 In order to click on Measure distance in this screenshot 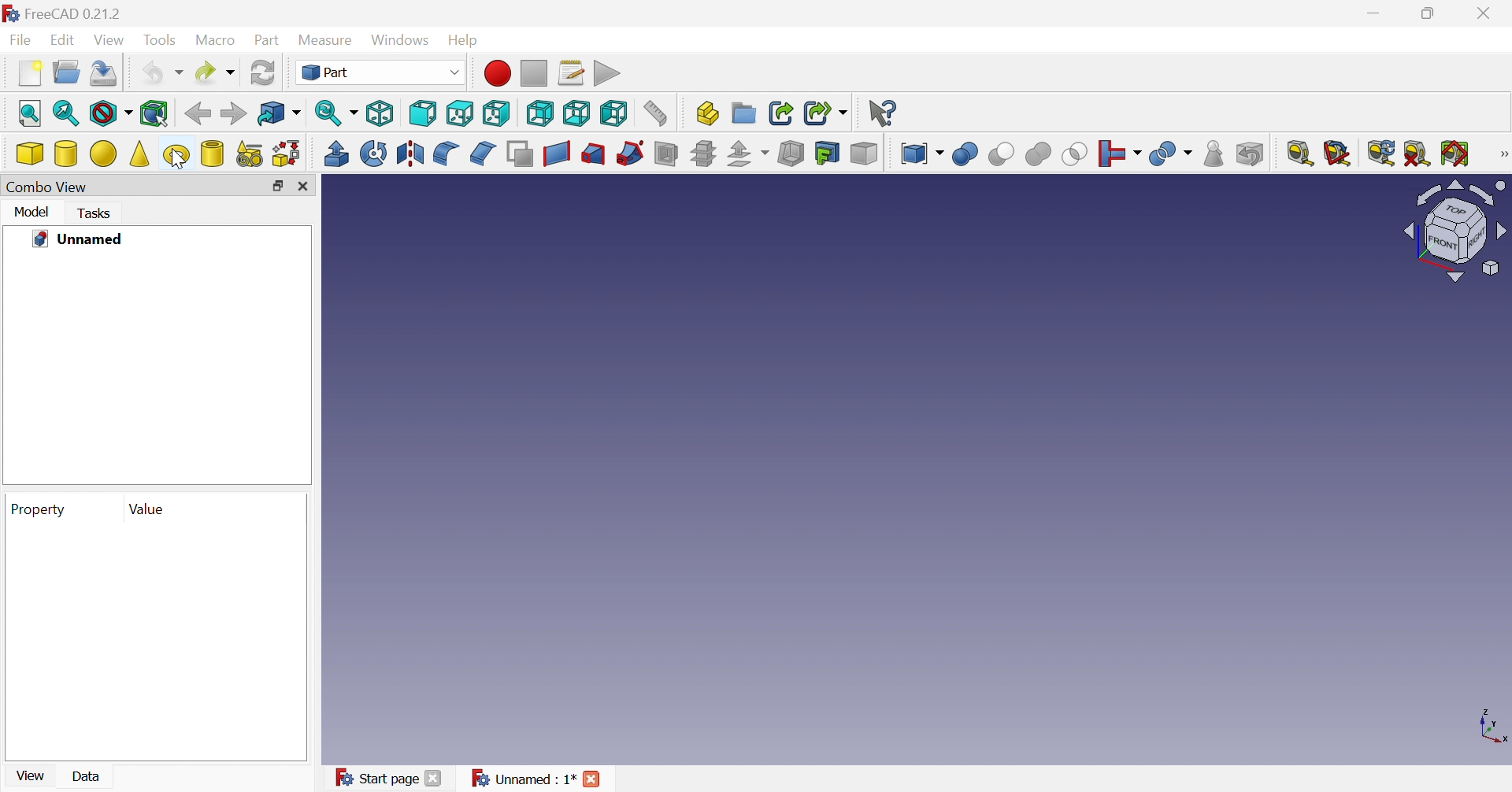, I will do `click(660, 113)`.